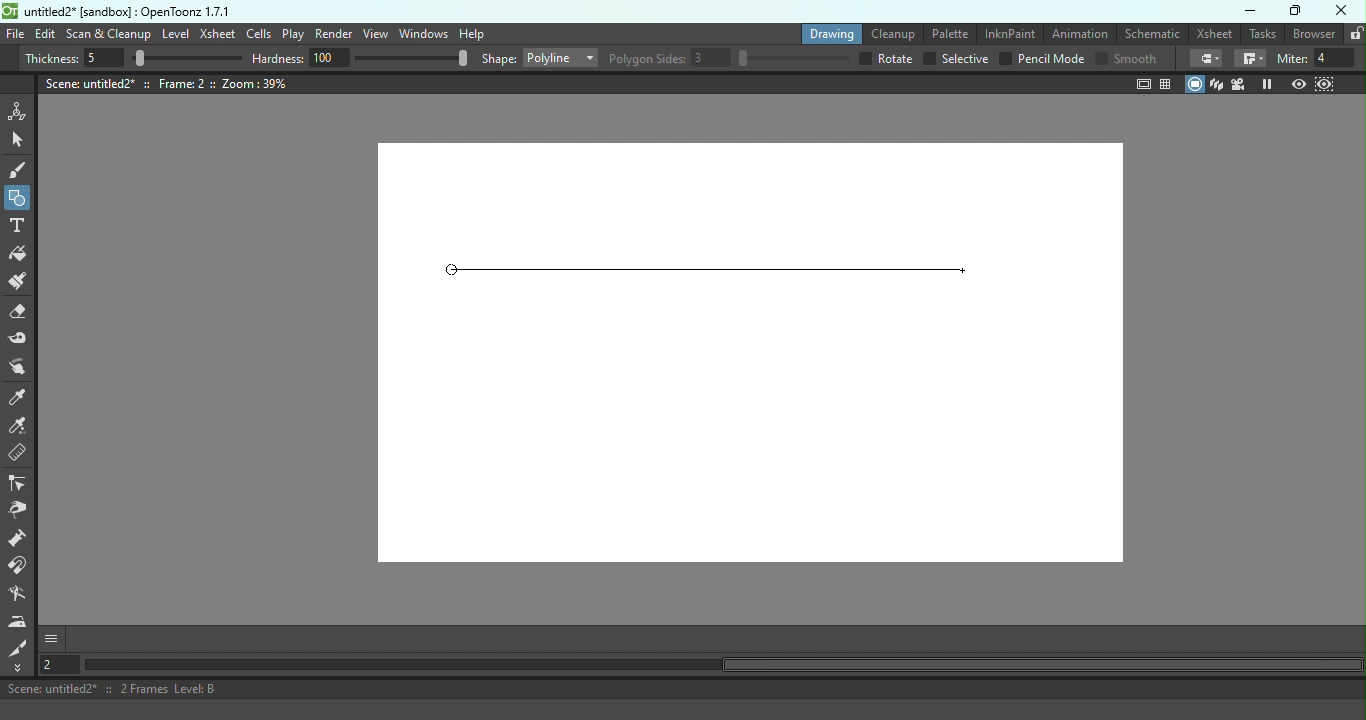 The height and width of the screenshot is (720, 1366). What do you see at coordinates (540, 56) in the screenshot?
I see `Shape` at bounding box center [540, 56].